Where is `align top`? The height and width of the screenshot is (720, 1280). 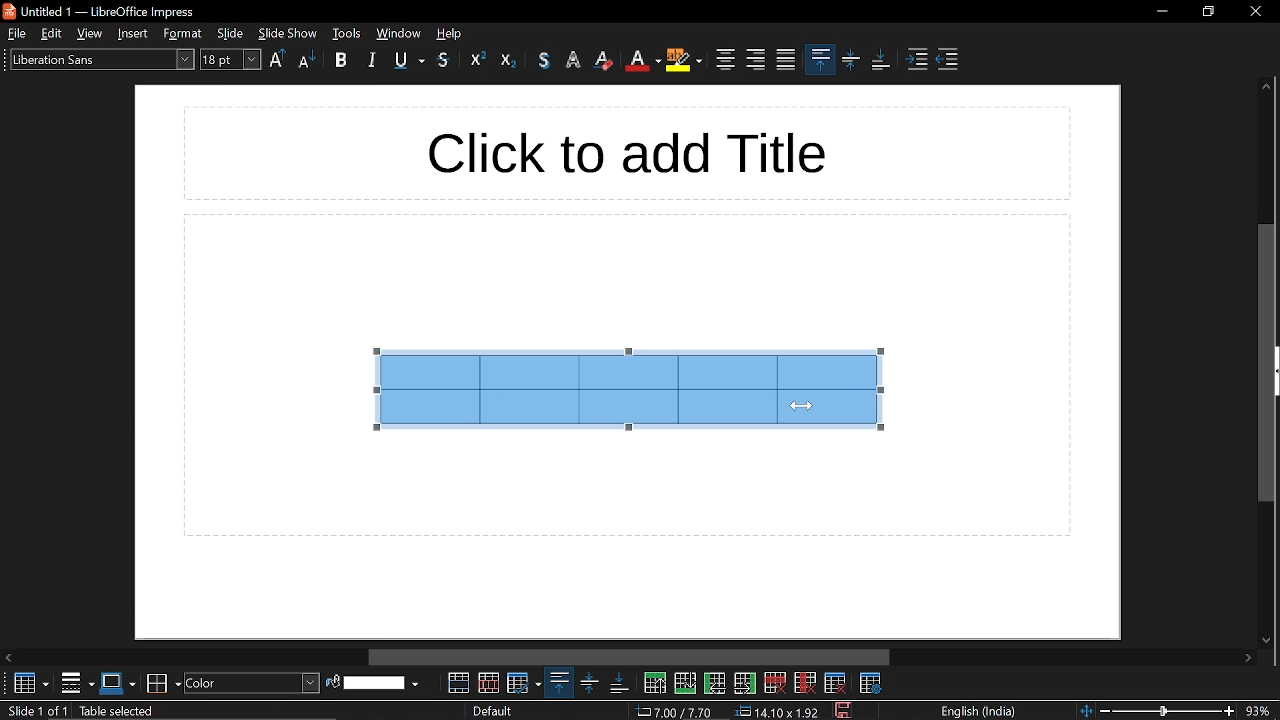 align top is located at coordinates (558, 683).